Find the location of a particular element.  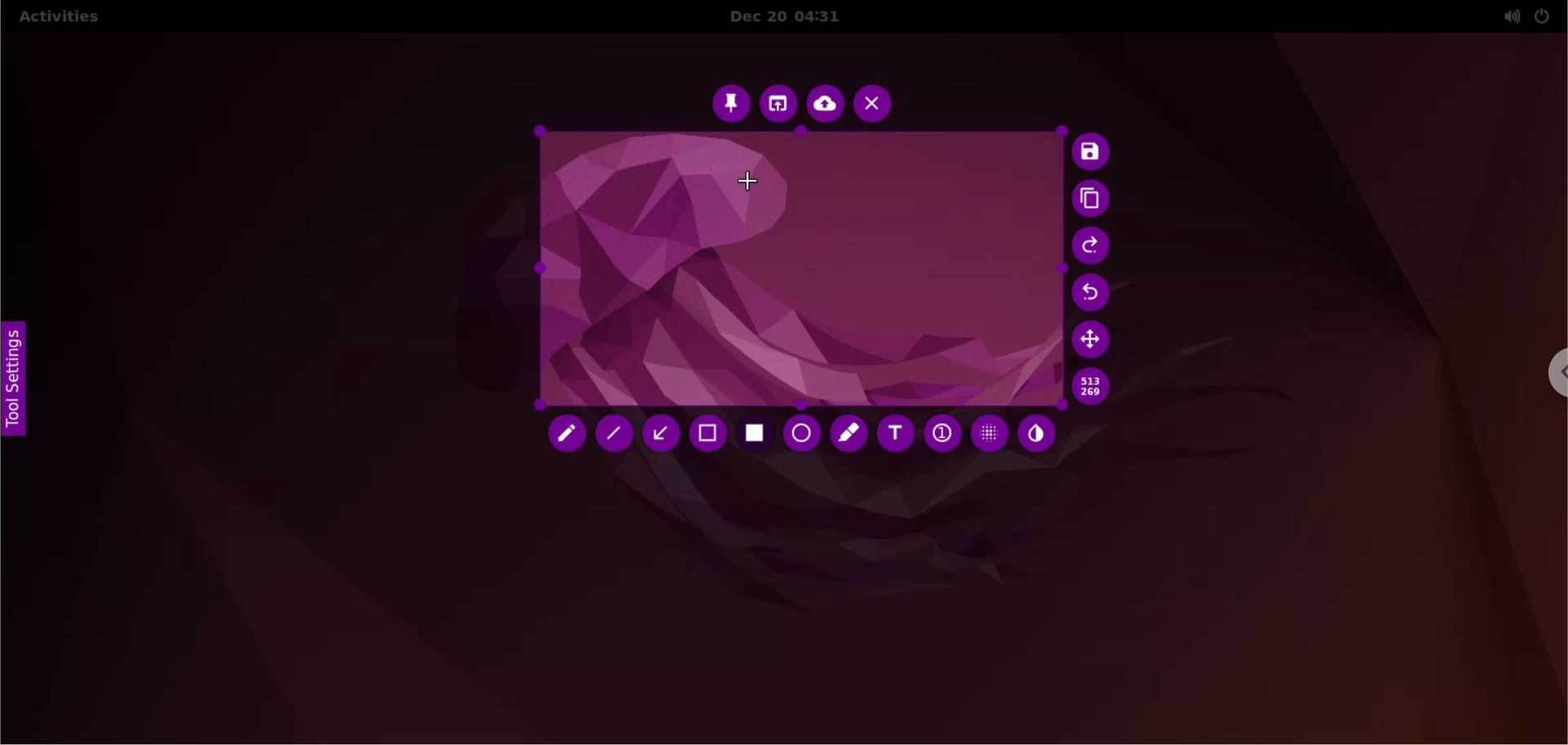

upload is located at coordinates (825, 104).